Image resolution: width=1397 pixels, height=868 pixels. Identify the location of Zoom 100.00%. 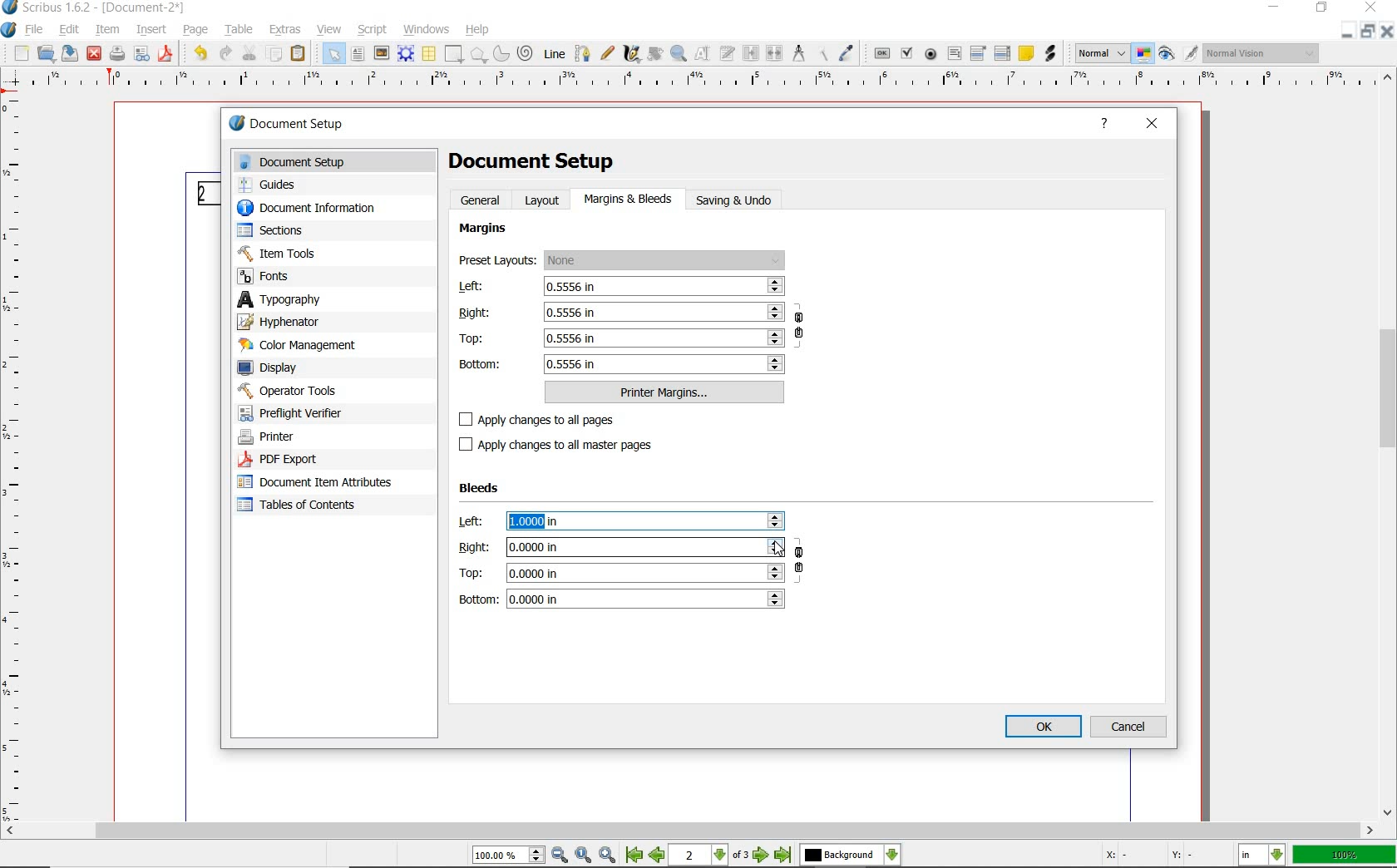
(506, 857).